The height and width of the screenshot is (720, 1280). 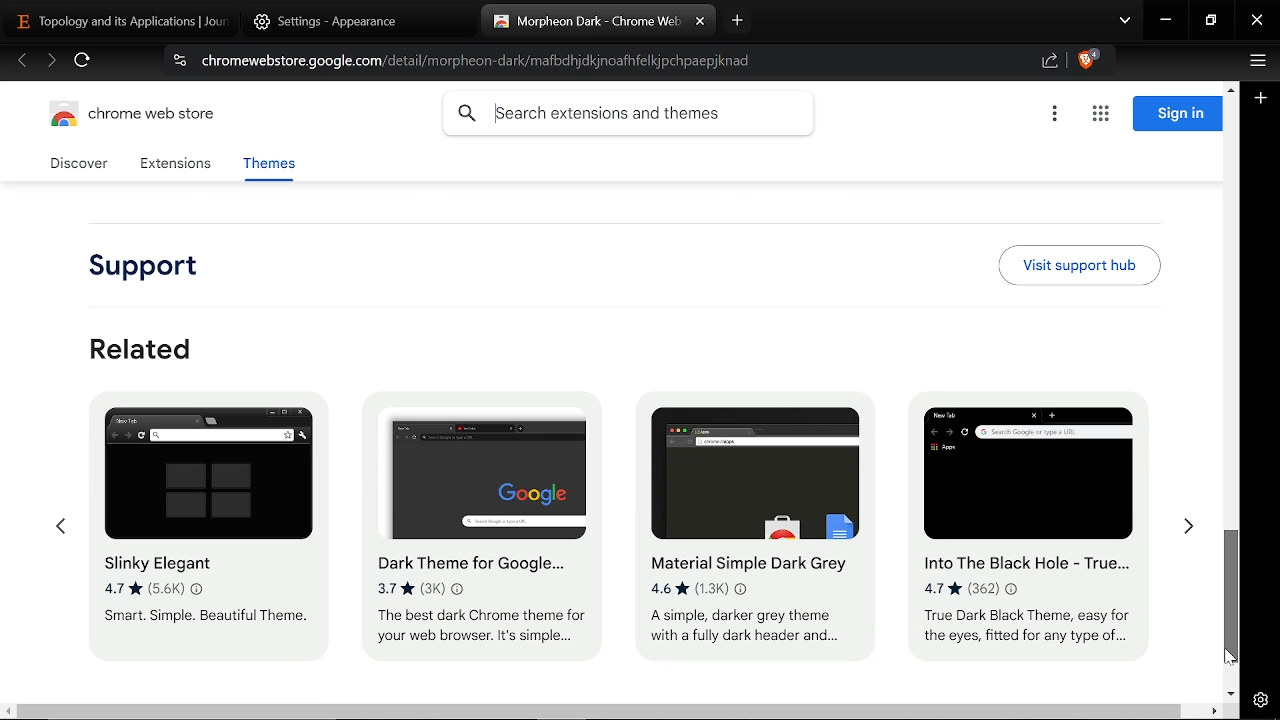 I want to click on Next page, so click(x=51, y=62).